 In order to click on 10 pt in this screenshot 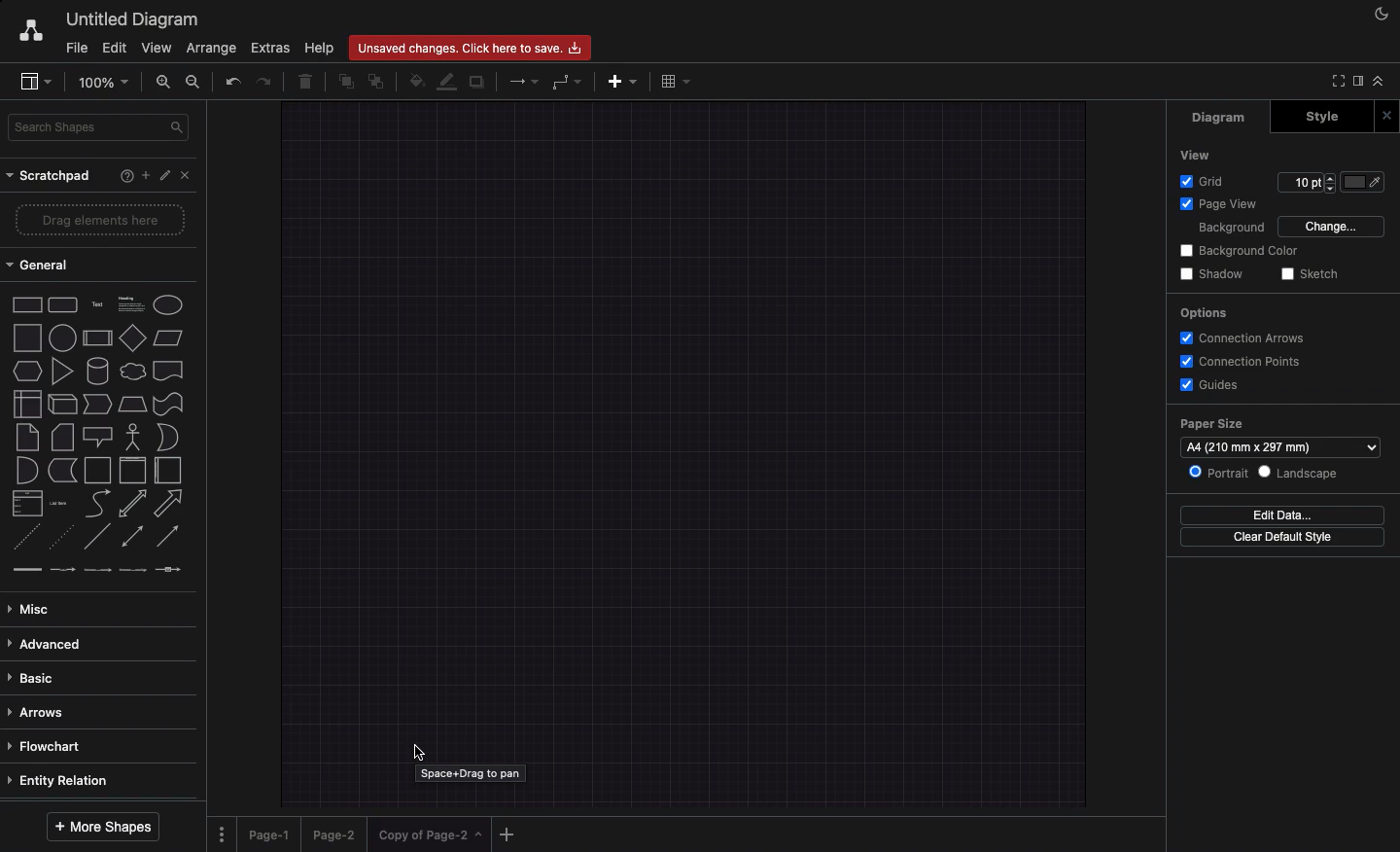, I will do `click(1300, 185)`.